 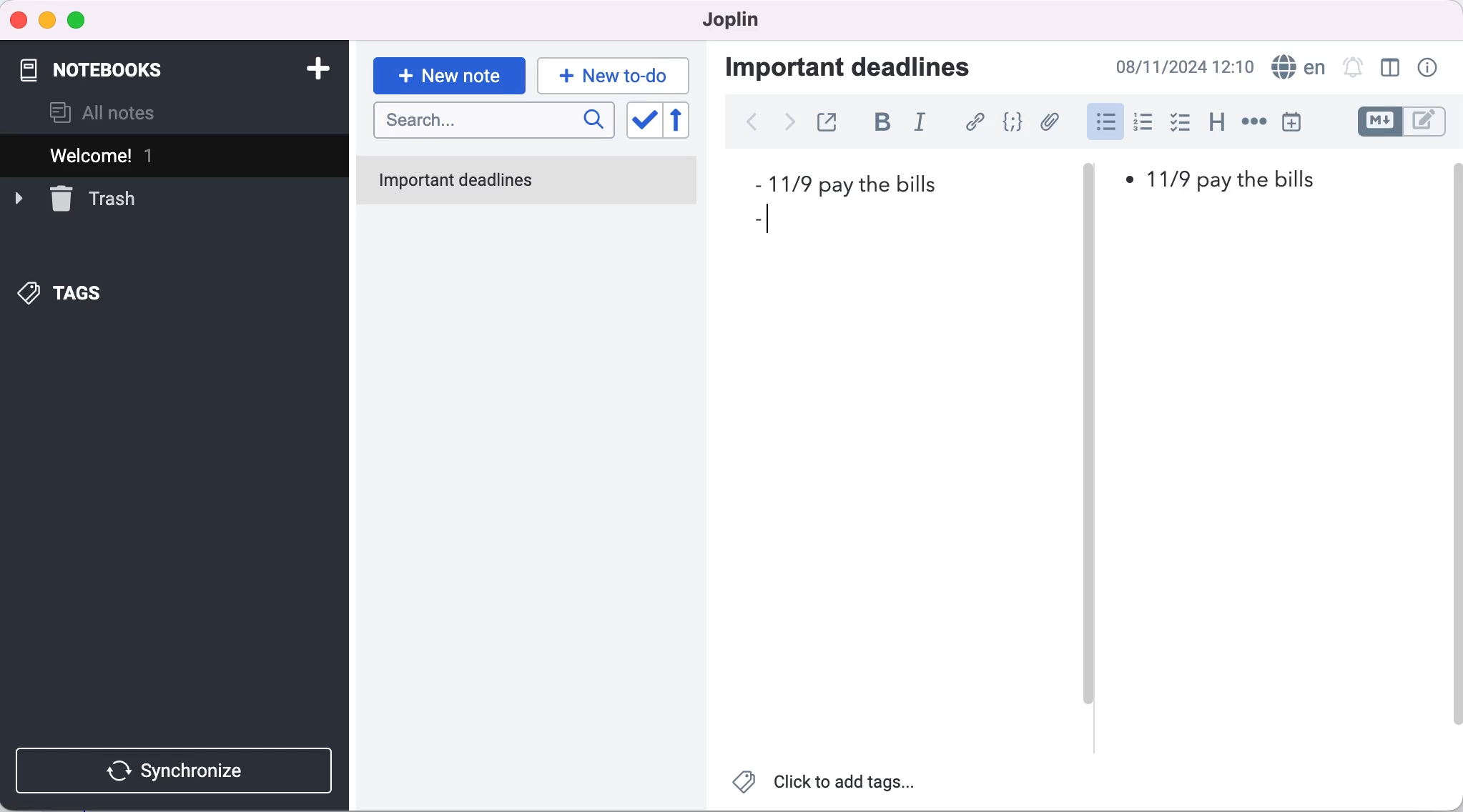 What do you see at coordinates (827, 124) in the screenshot?
I see `toggle external editing` at bounding box center [827, 124].